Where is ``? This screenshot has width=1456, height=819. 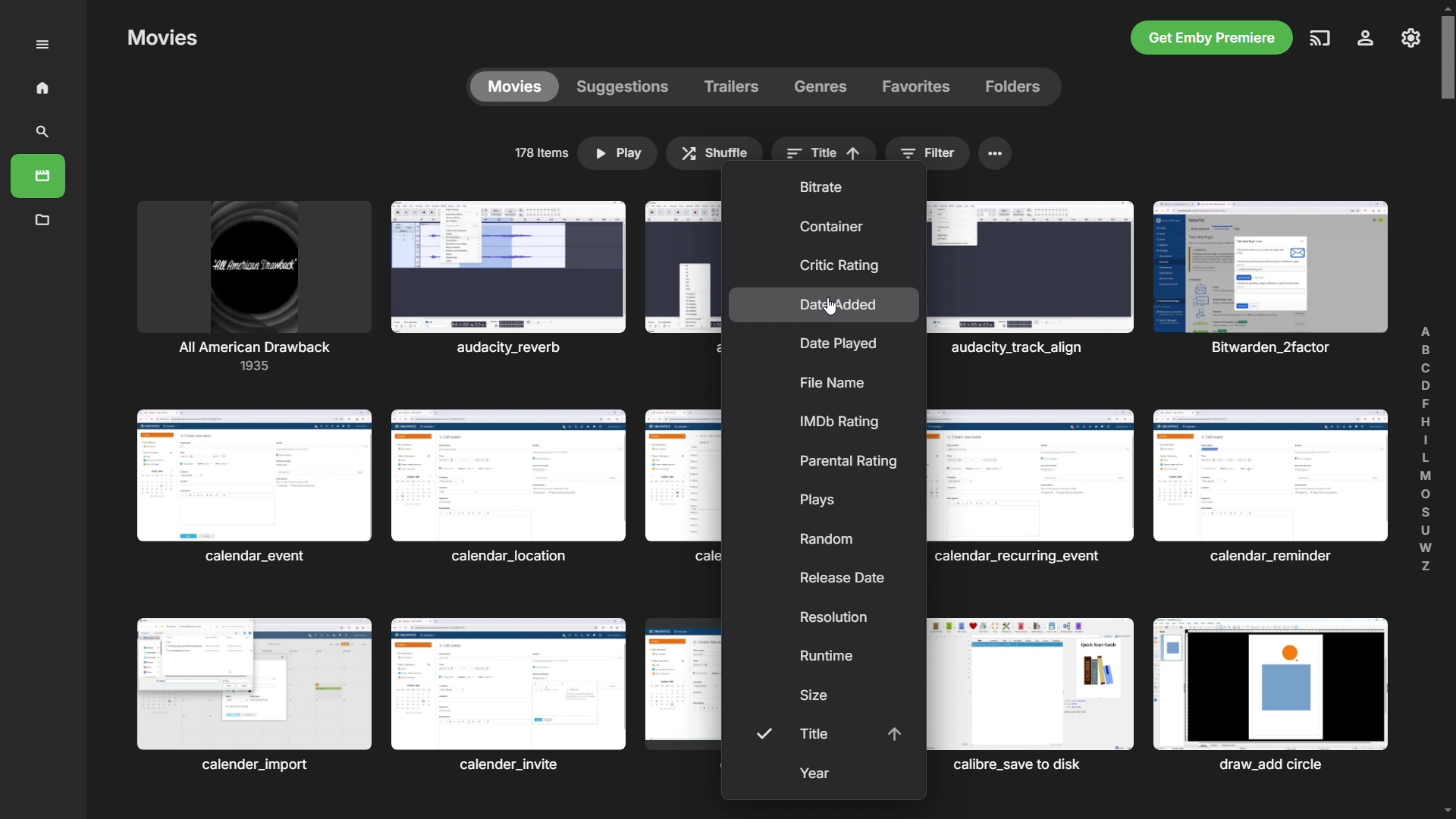
 is located at coordinates (1039, 280).